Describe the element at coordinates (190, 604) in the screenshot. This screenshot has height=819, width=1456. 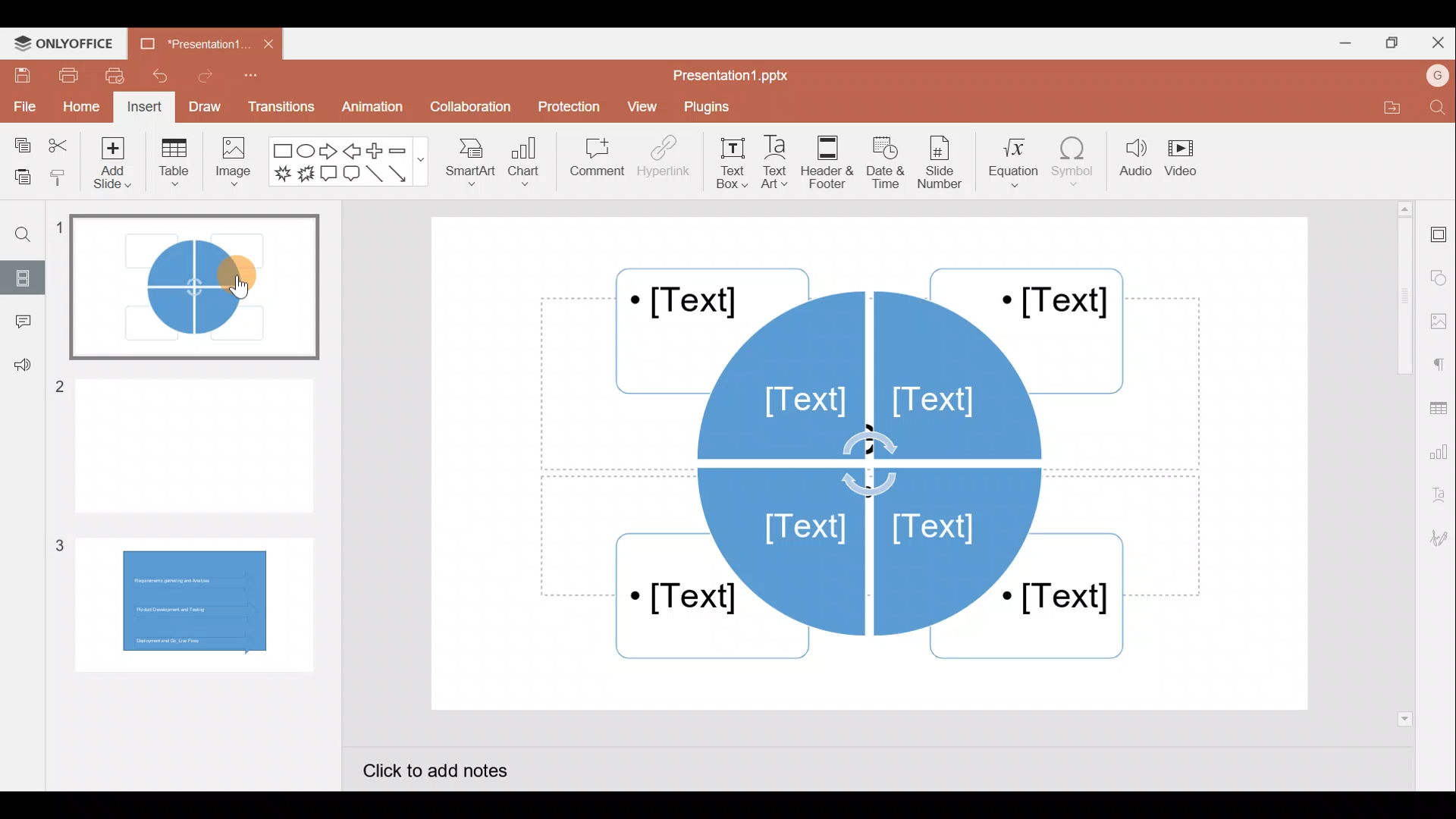
I see `Slide 3` at that location.